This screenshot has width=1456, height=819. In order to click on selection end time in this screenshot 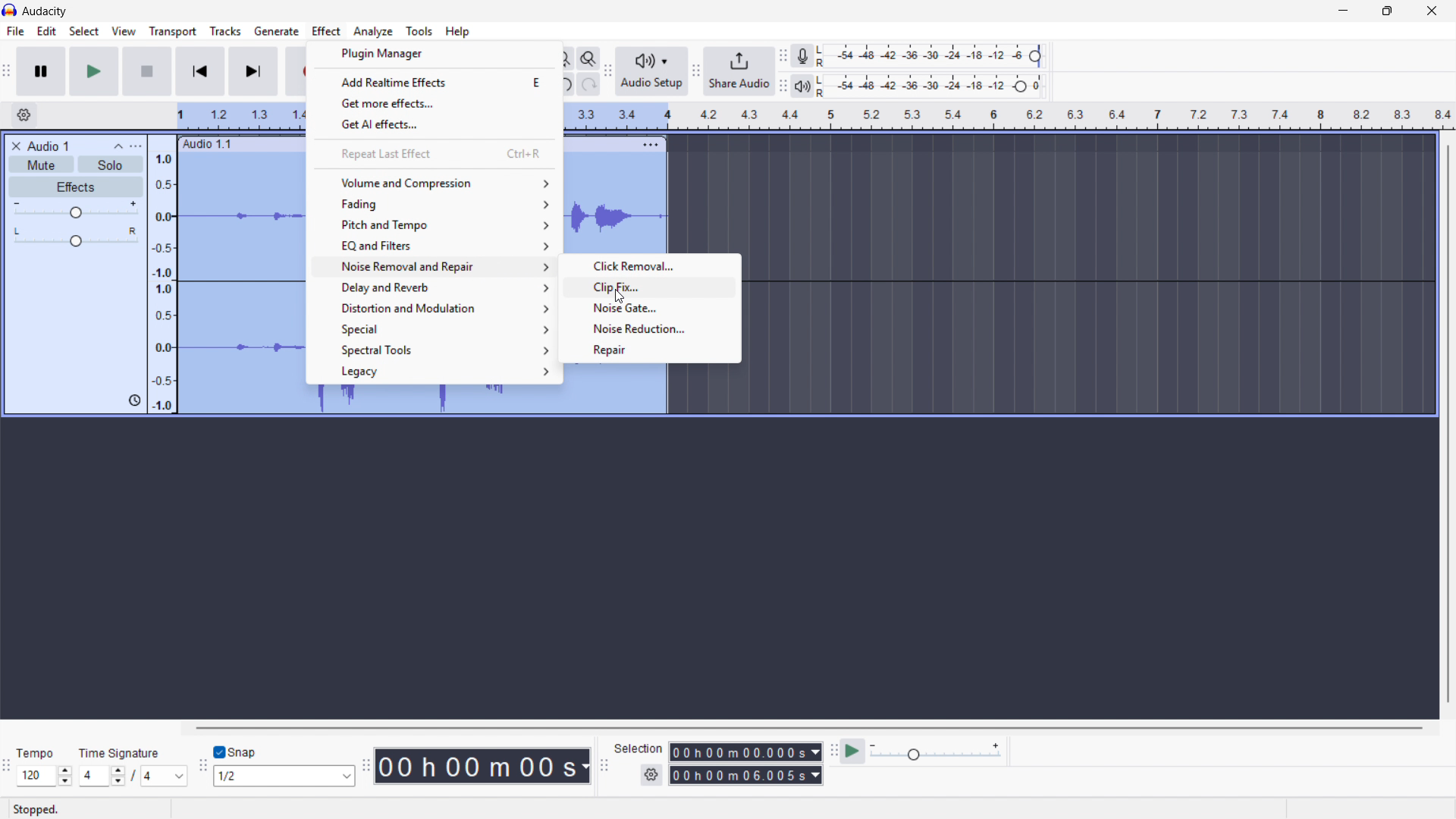, I will do `click(745, 776)`.